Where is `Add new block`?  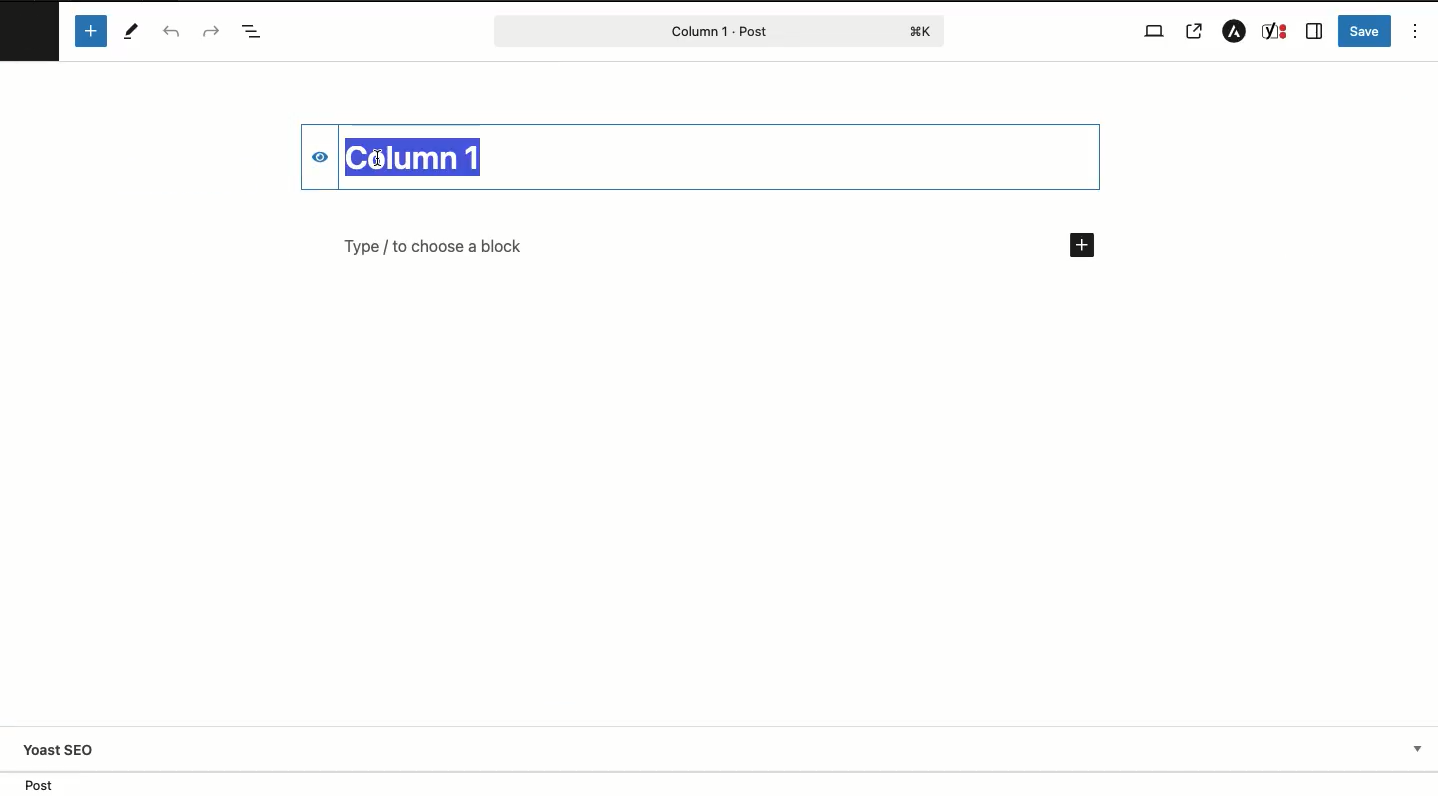
Add new block is located at coordinates (1081, 246).